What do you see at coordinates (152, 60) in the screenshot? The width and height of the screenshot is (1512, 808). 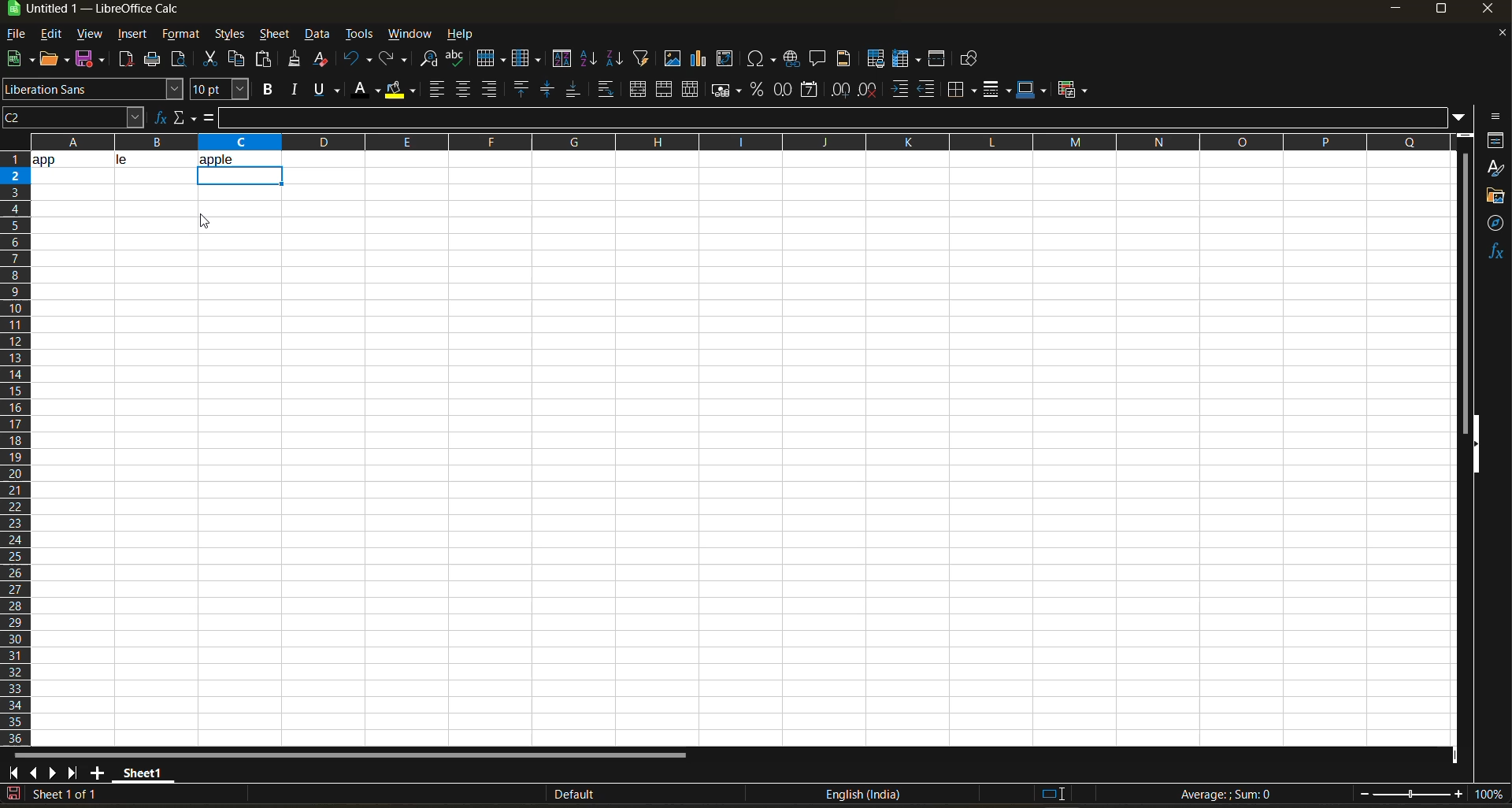 I see `print` at bounding box center [152, 60].